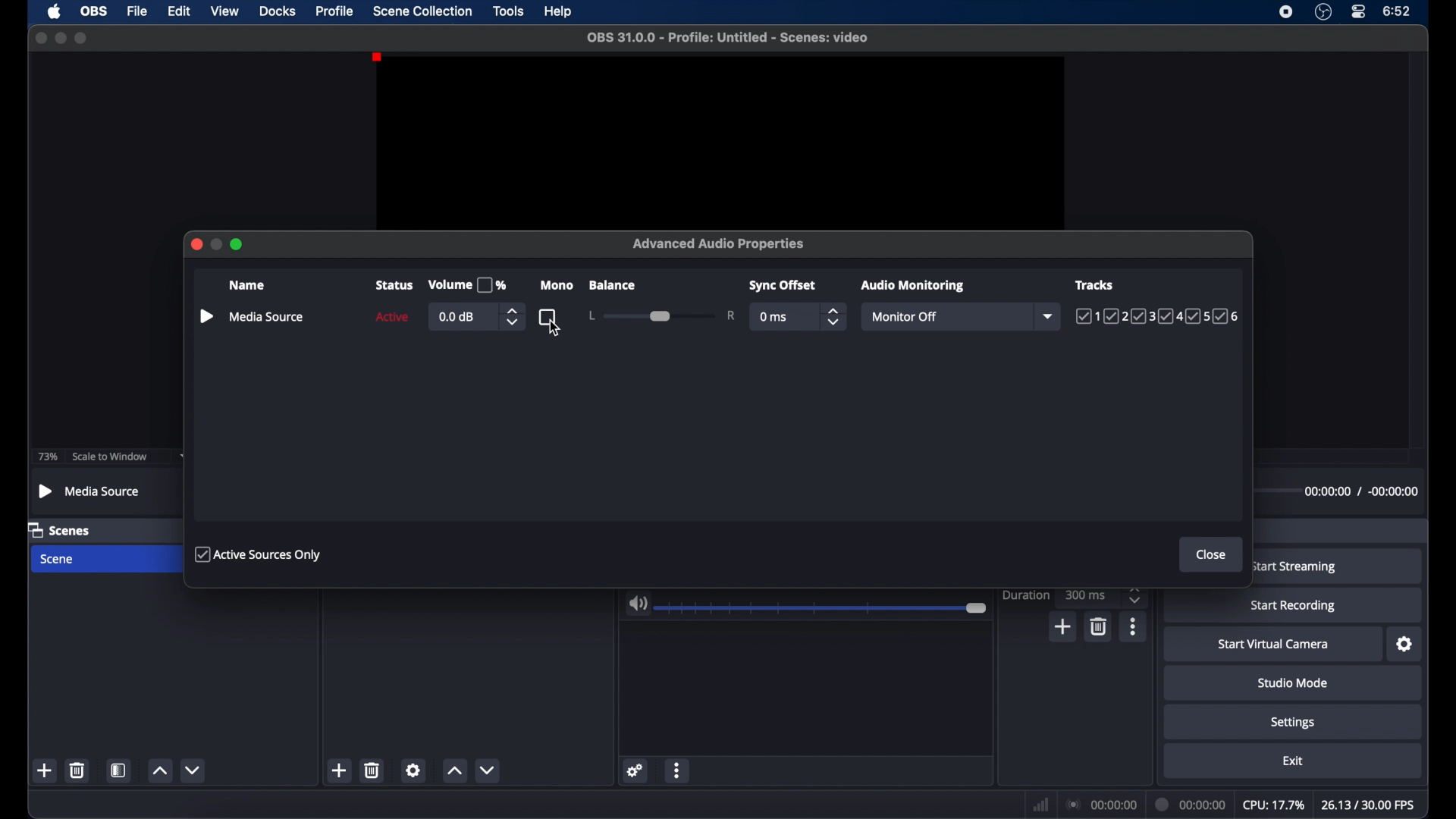  I want to click on docks, so click(278, 12).